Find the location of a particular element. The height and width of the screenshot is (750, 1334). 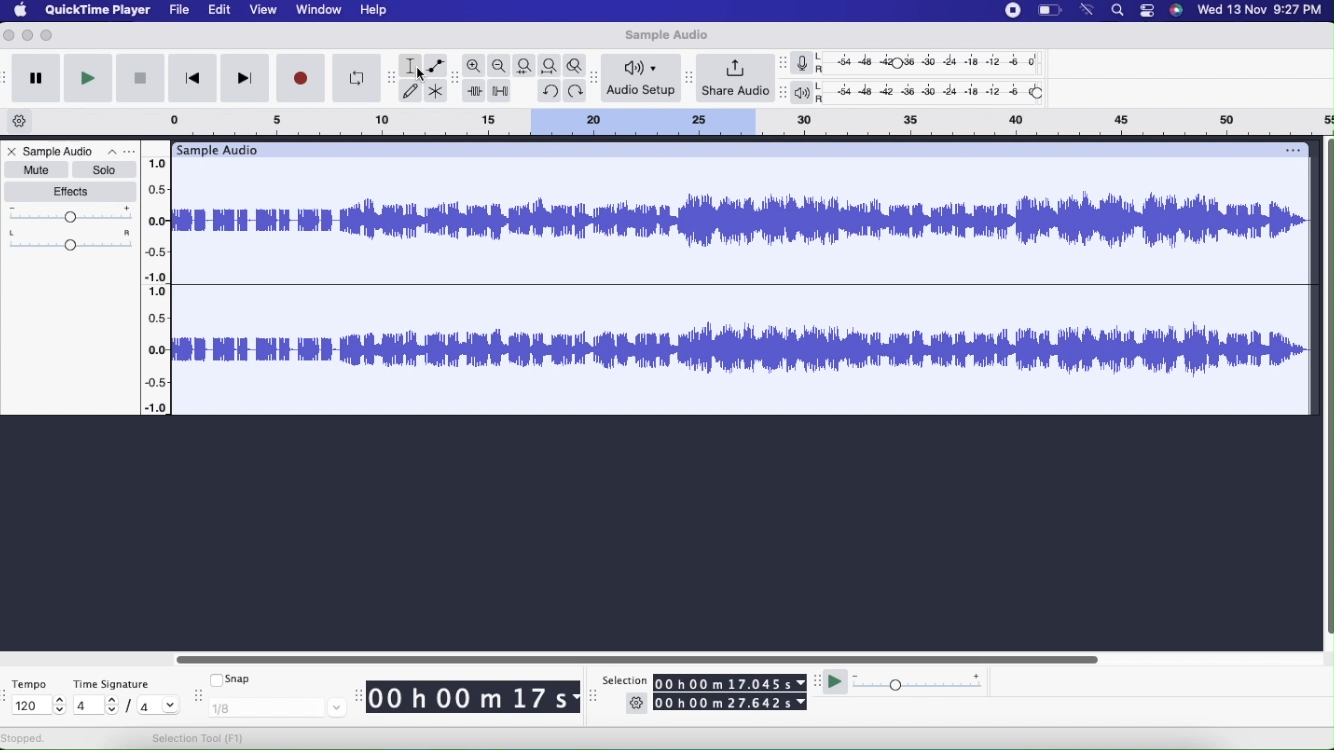

sample audio is located at coordinates (216, 149).